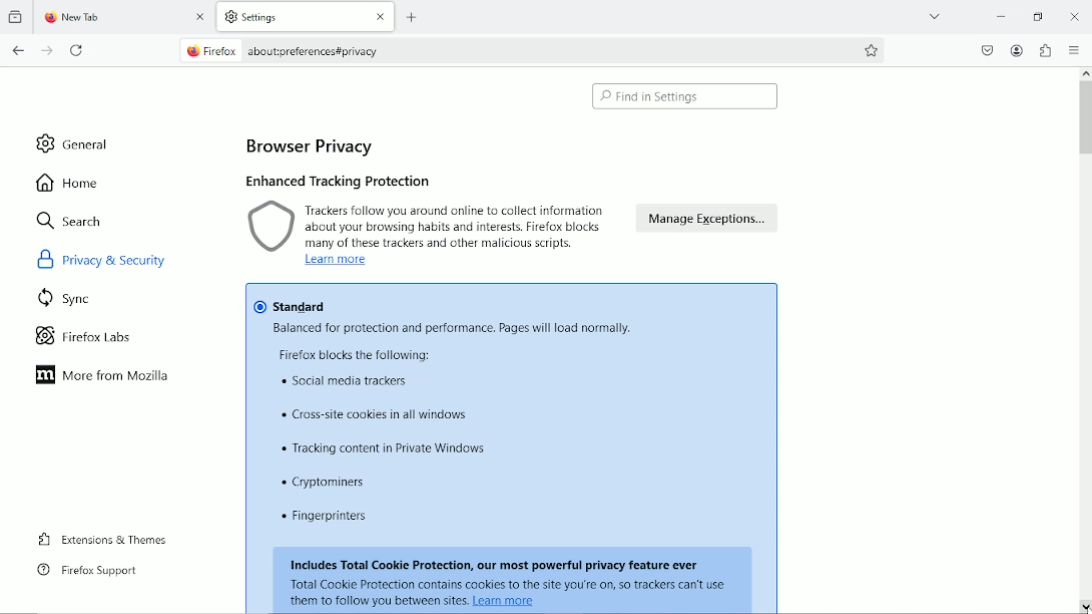  Describe the element at coordinates (1038, 14) in the screenshot. I see `restore down` at that location.